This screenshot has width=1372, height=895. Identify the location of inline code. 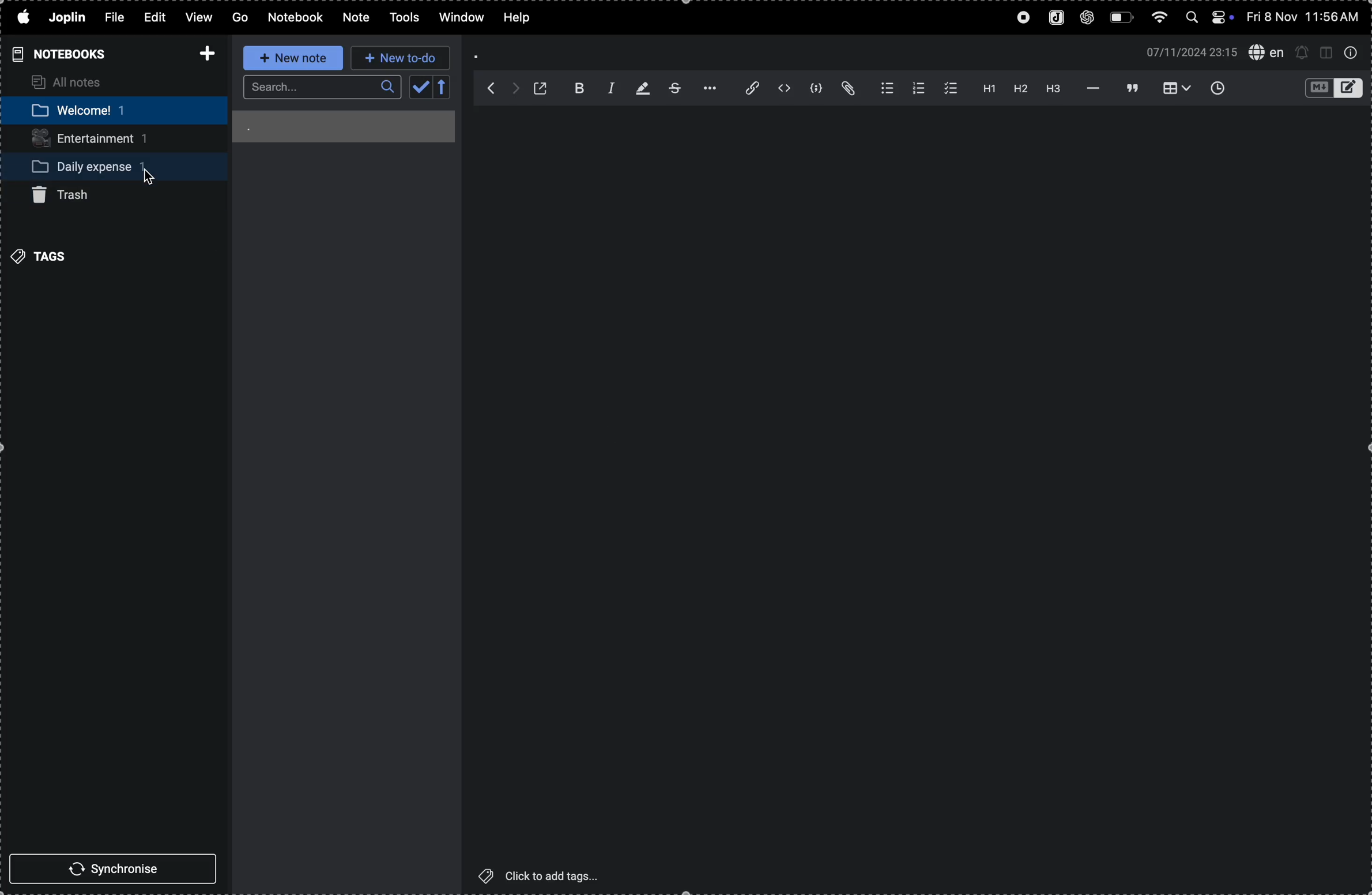
(783, 89).